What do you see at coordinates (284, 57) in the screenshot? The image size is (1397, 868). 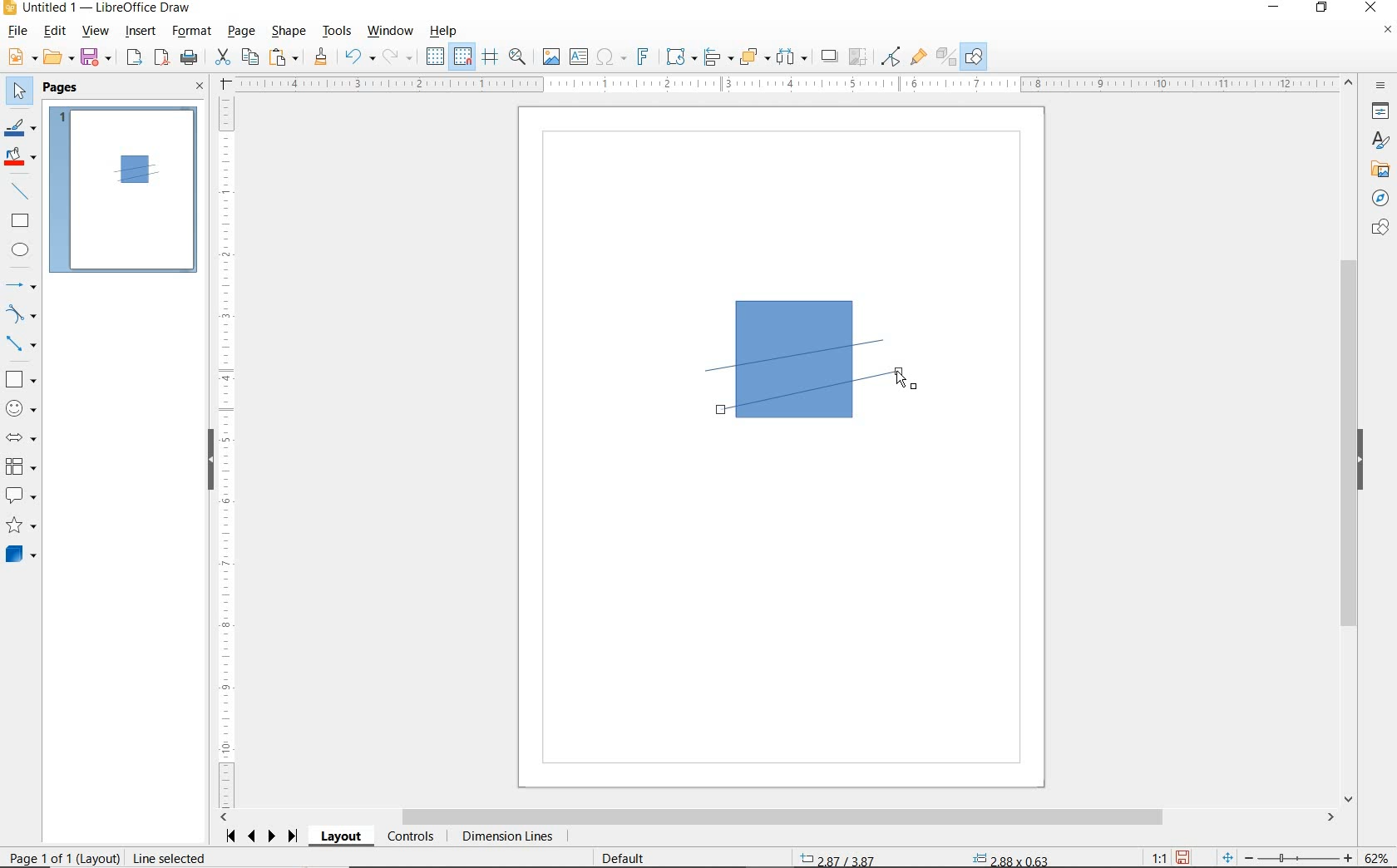 I see `PASTE` at bounding box center [284, 57].